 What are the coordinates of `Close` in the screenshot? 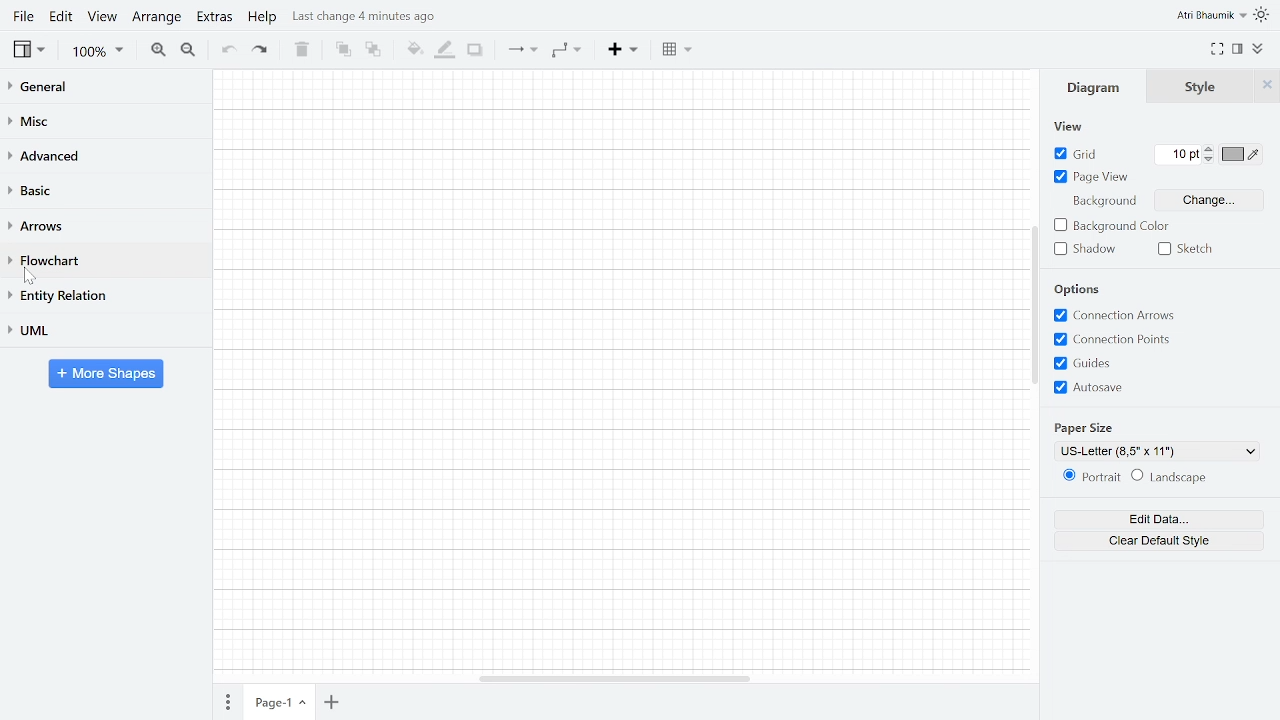 It's located at (1266, 88).